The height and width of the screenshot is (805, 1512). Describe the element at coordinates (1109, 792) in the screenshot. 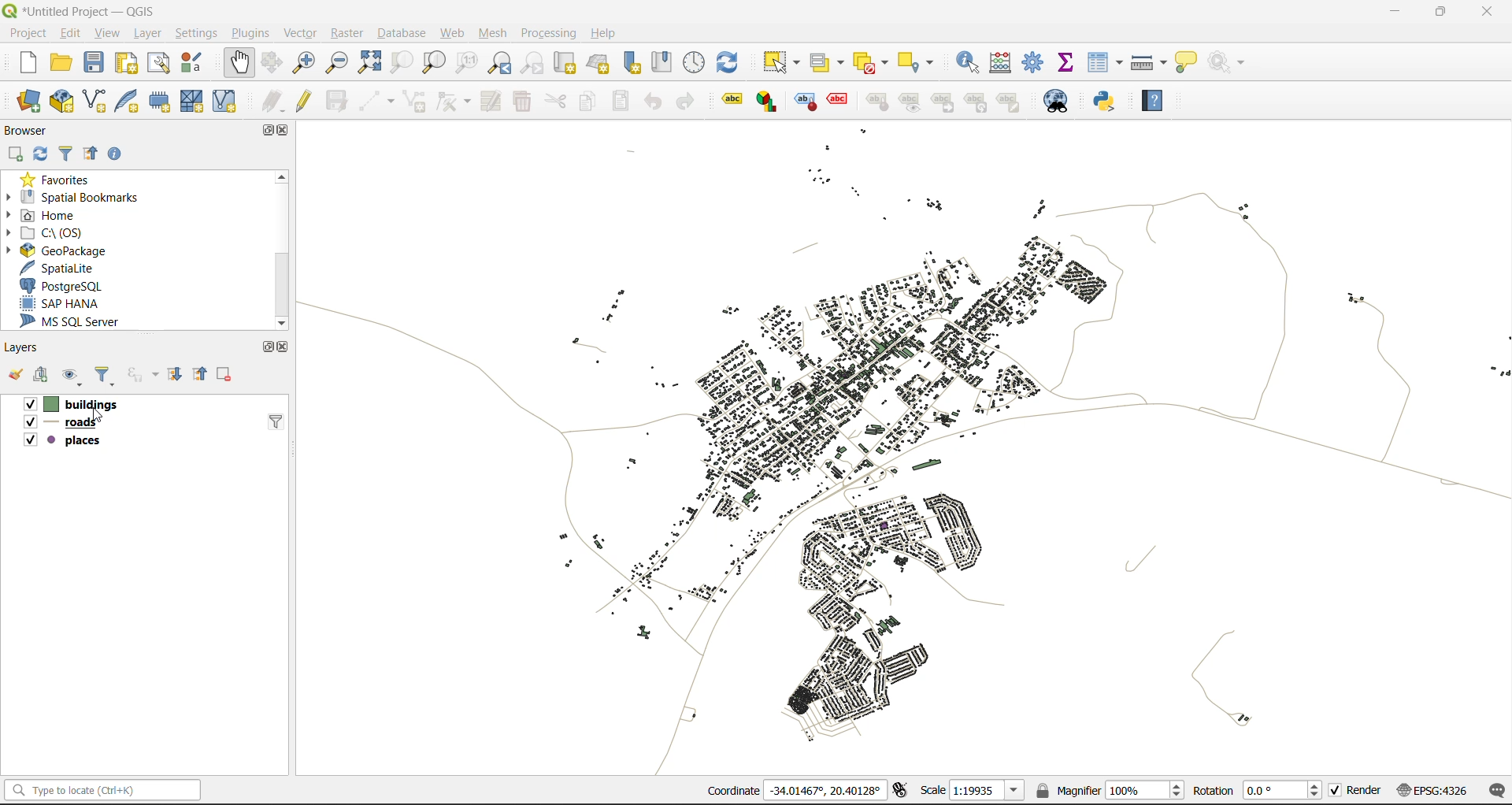

I see `magnifier` at that location.